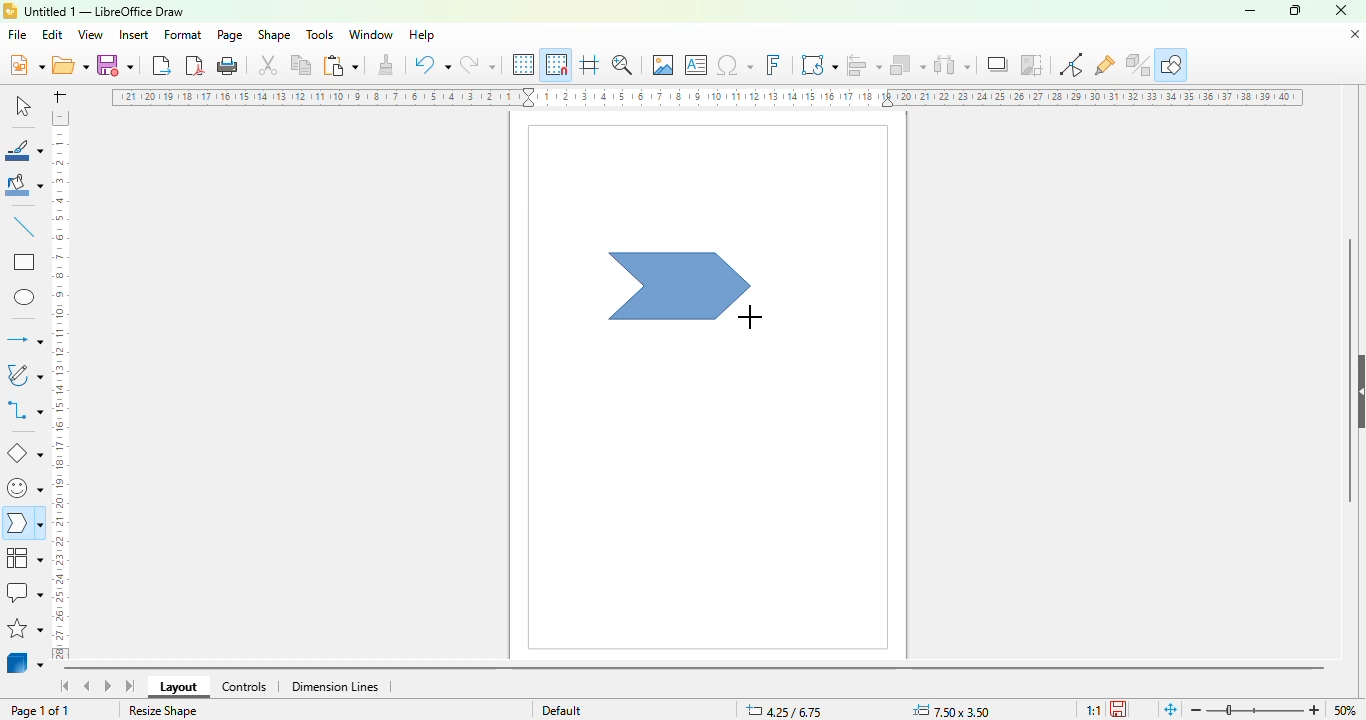 This screenshot has height=720, width=1366. Describe the element at coordinates (23, 375) in the screenshot. I see `curves and polygons` at that location.